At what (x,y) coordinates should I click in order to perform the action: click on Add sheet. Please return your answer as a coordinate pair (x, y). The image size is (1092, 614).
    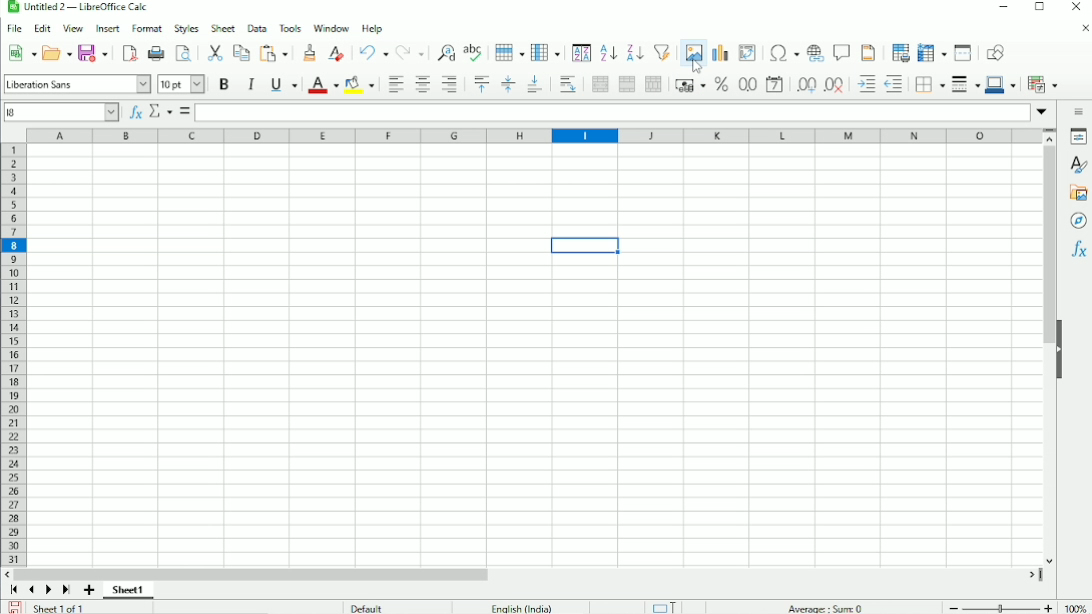
    Looking at the image, I should click on (89, 590).